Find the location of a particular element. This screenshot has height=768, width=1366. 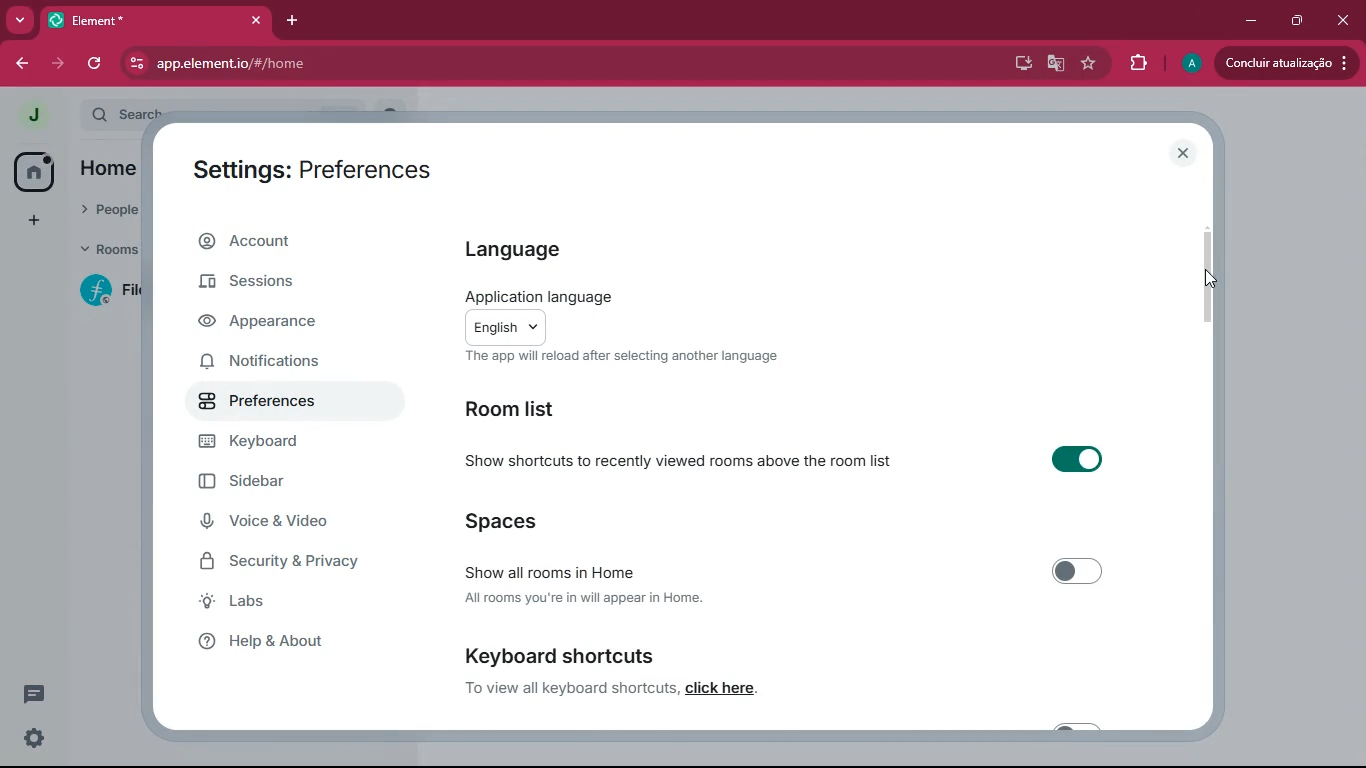

extensions is located at coordinates (1135, 63).